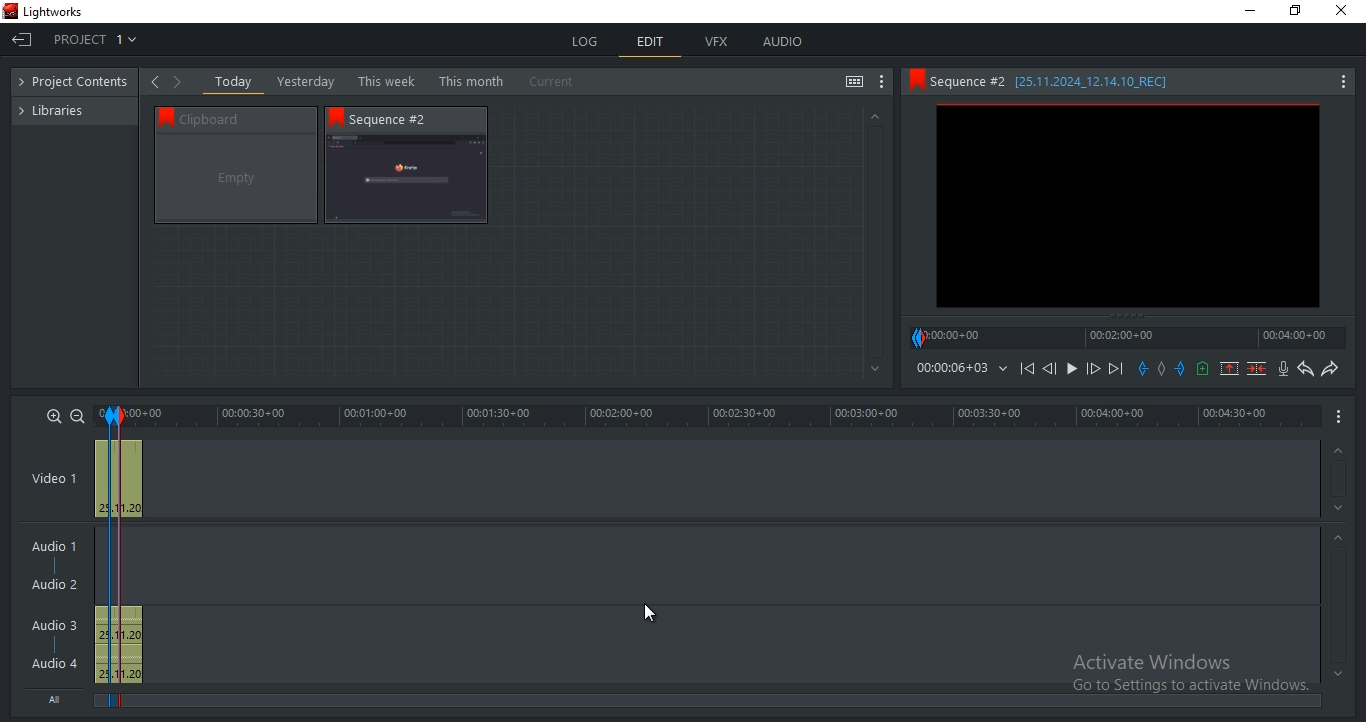 The width and height of the screenshot is (1366, 722). Describe the element at coordinates (1128, 337) in the screenshot. I see `timeline` at that location.